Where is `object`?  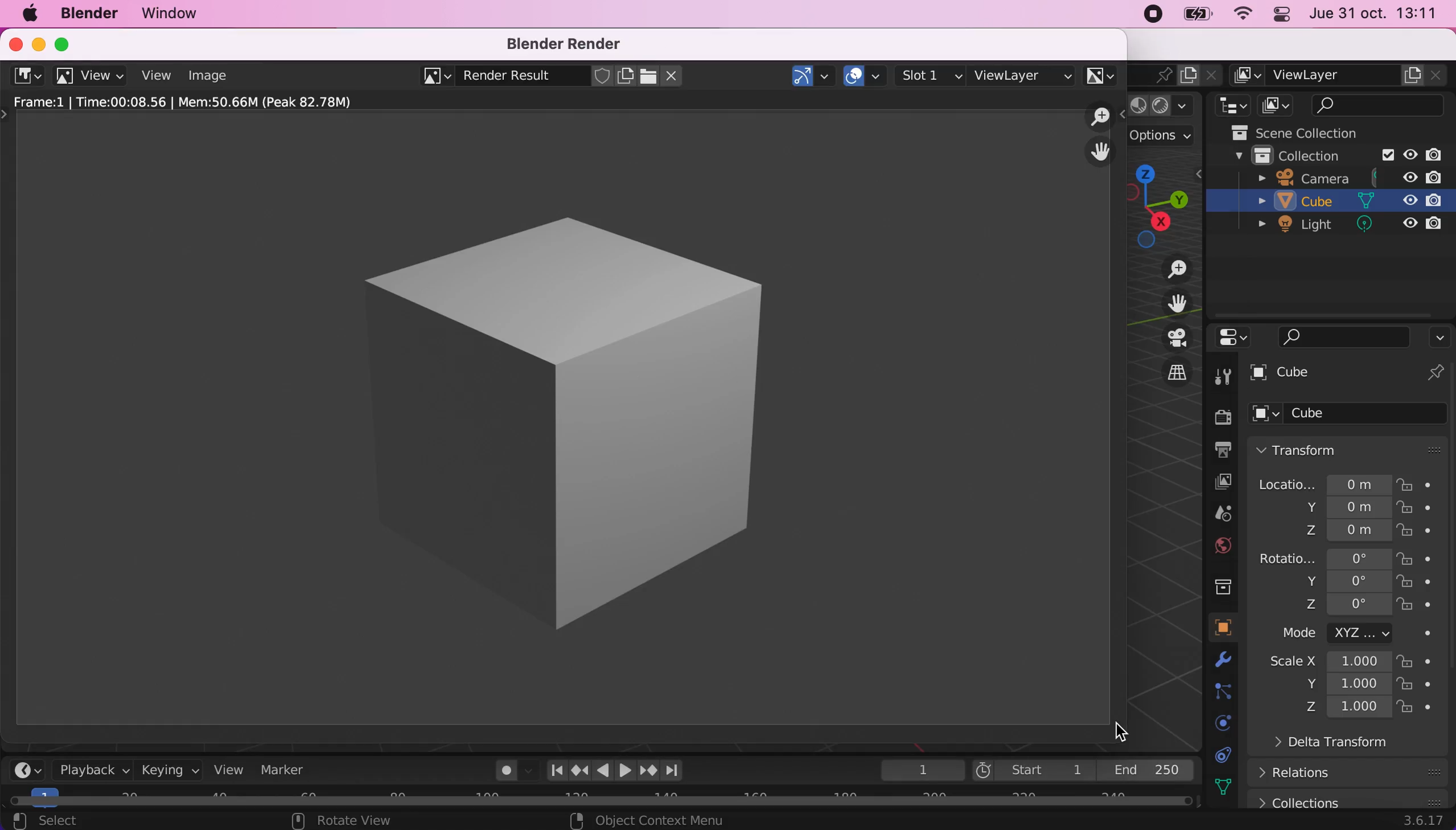 object is located at coordinates (1223, 628).